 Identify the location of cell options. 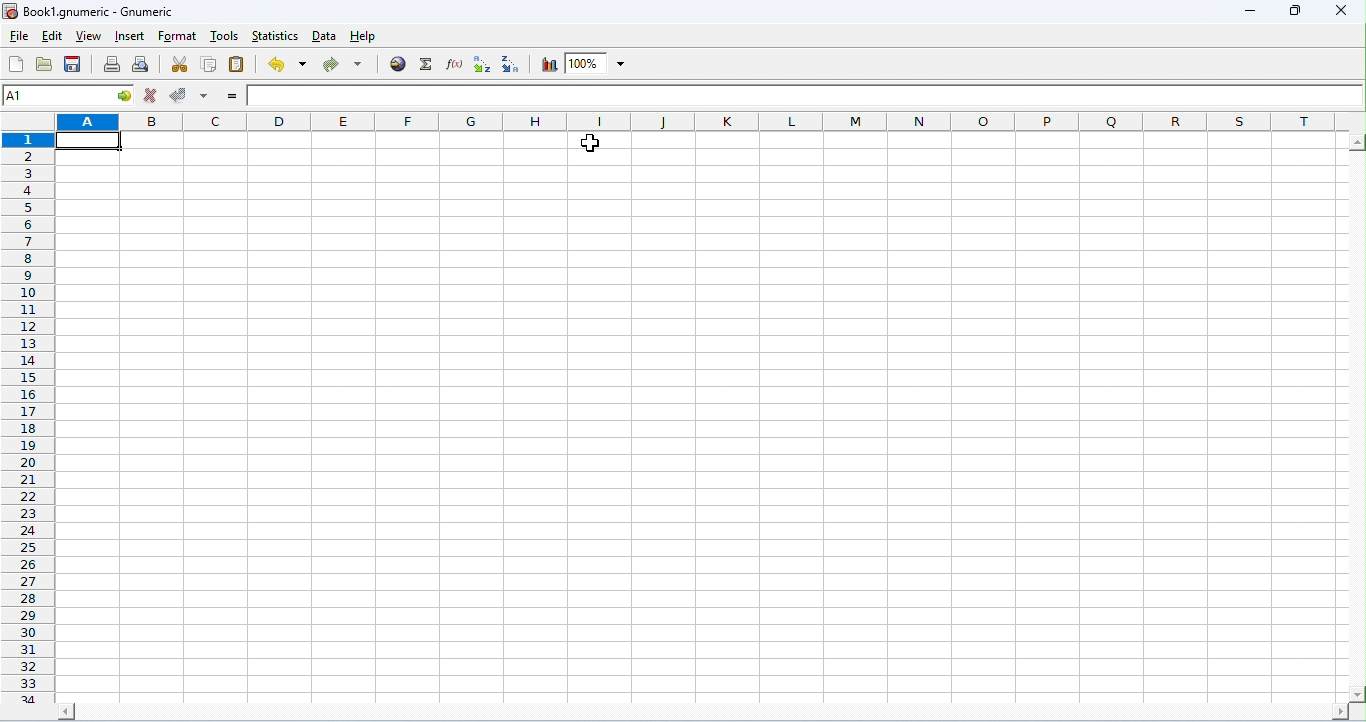
(125, 95).